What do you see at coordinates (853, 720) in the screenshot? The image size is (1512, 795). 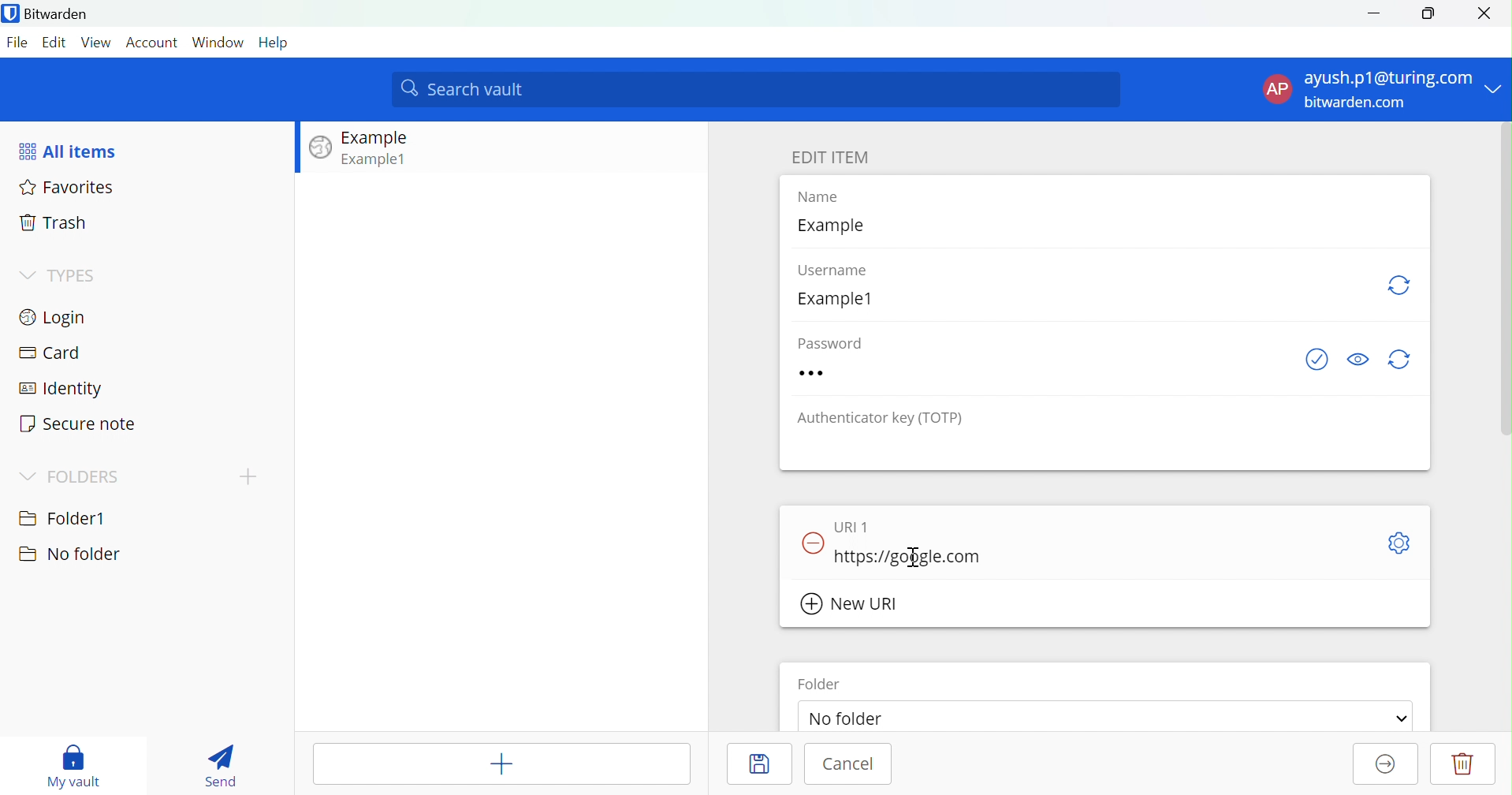 I see `No folder` at bounding box center [853, 720].